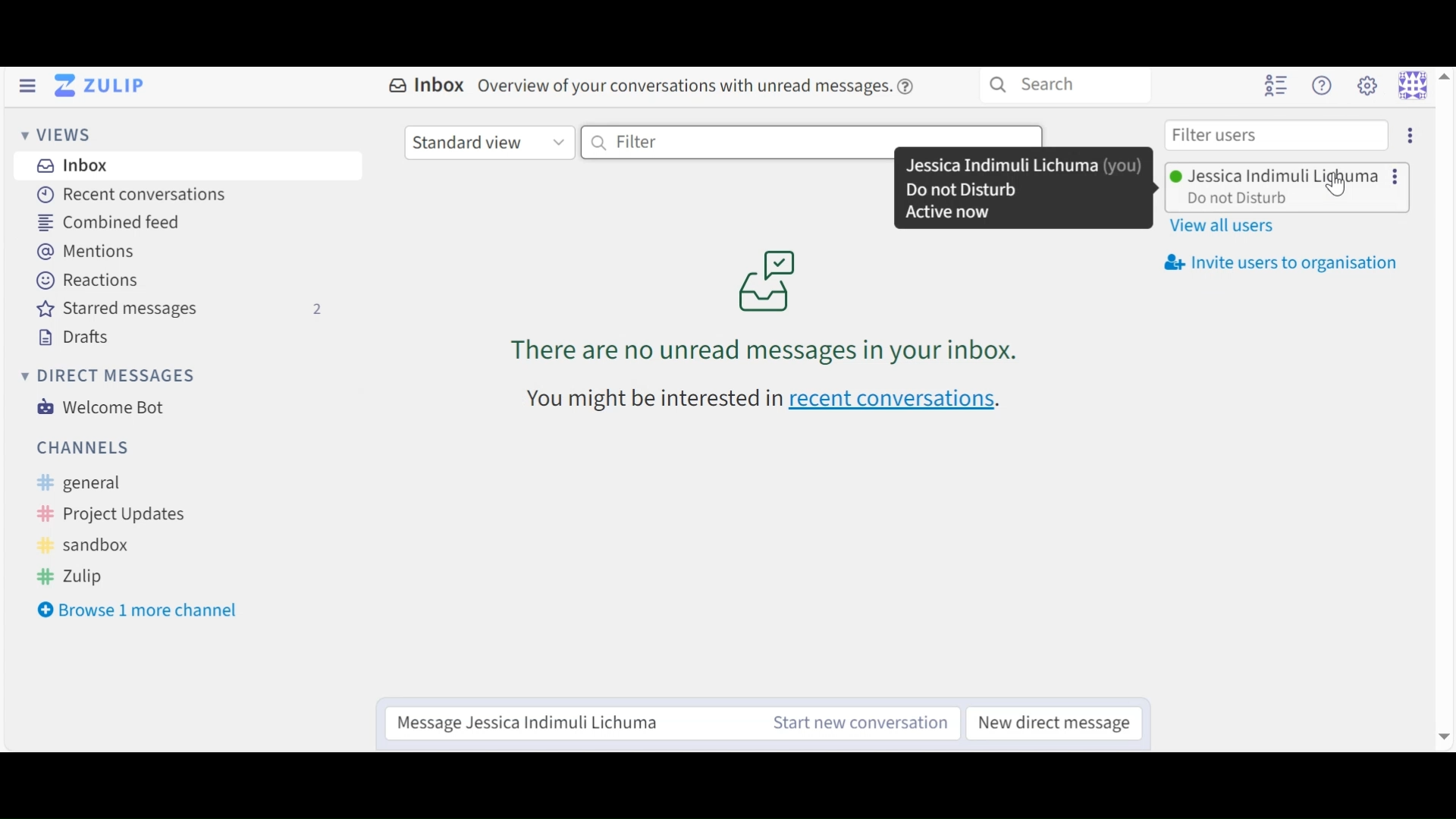  Describe the element at coordinates (1348, 194) in the screenshot. I see `Cursor` at that location.